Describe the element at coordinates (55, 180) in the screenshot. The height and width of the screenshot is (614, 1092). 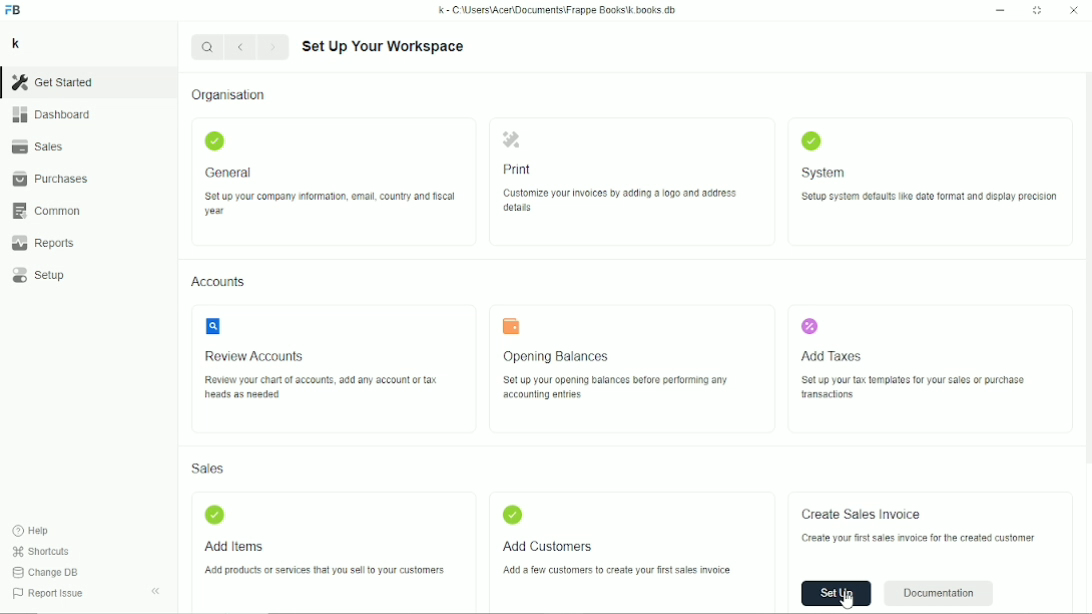
I see `Purchases` at that location.